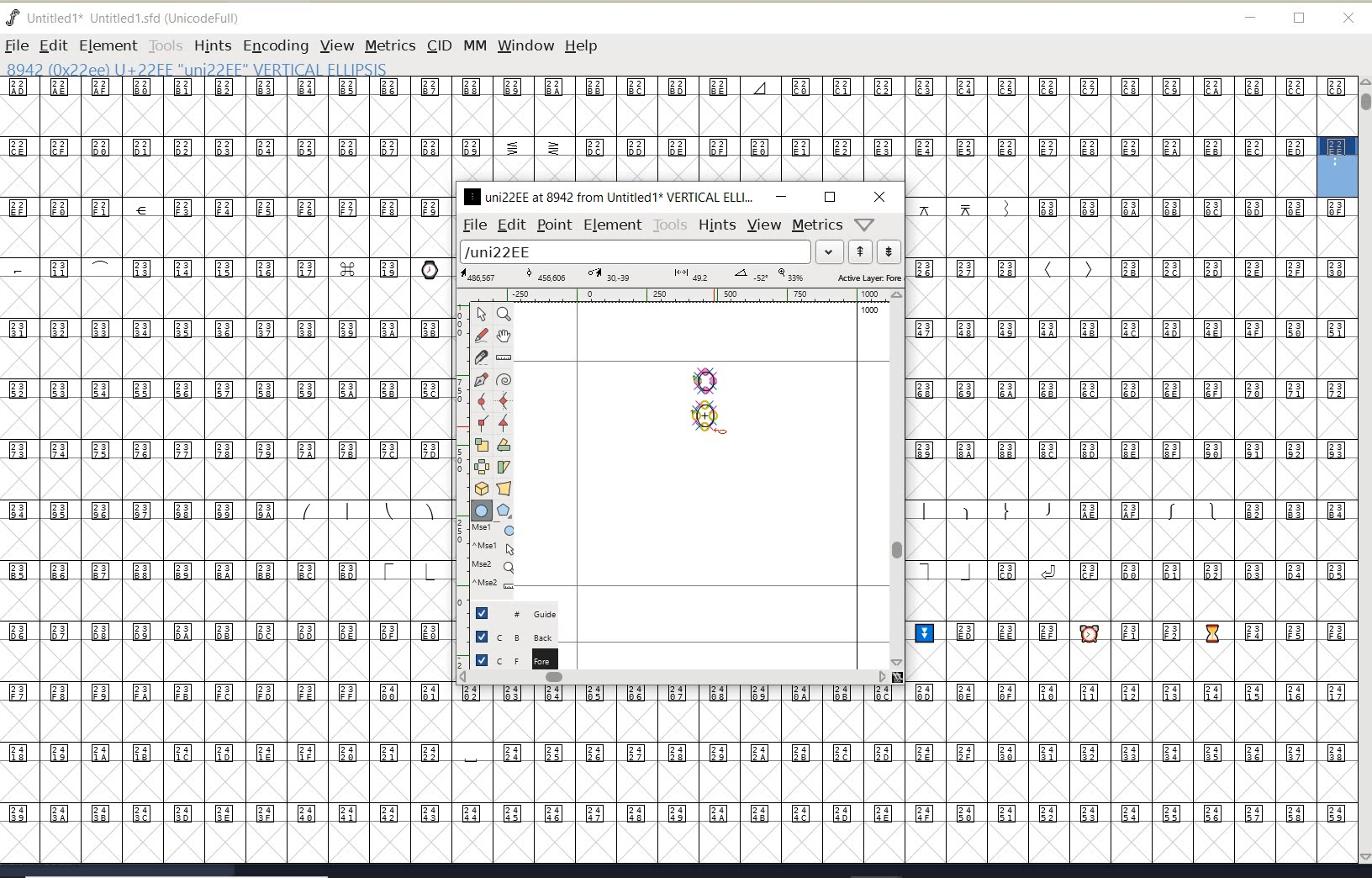 The width and height of the screenshot is (1372, 878). I want to click on measure distance, angle between points, so click(504, 357).